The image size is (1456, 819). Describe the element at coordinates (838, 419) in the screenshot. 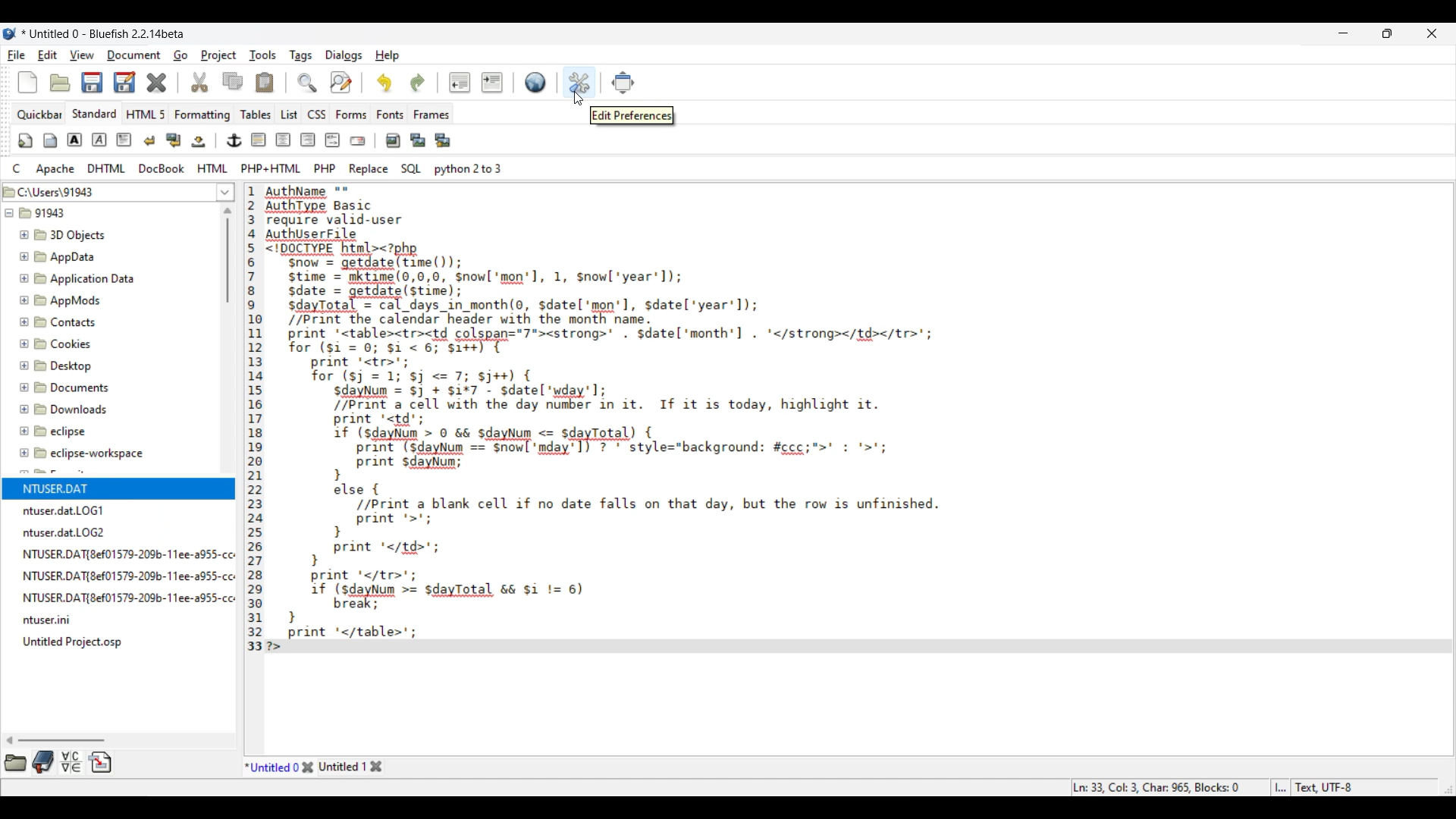

I see `Current code` at that location.